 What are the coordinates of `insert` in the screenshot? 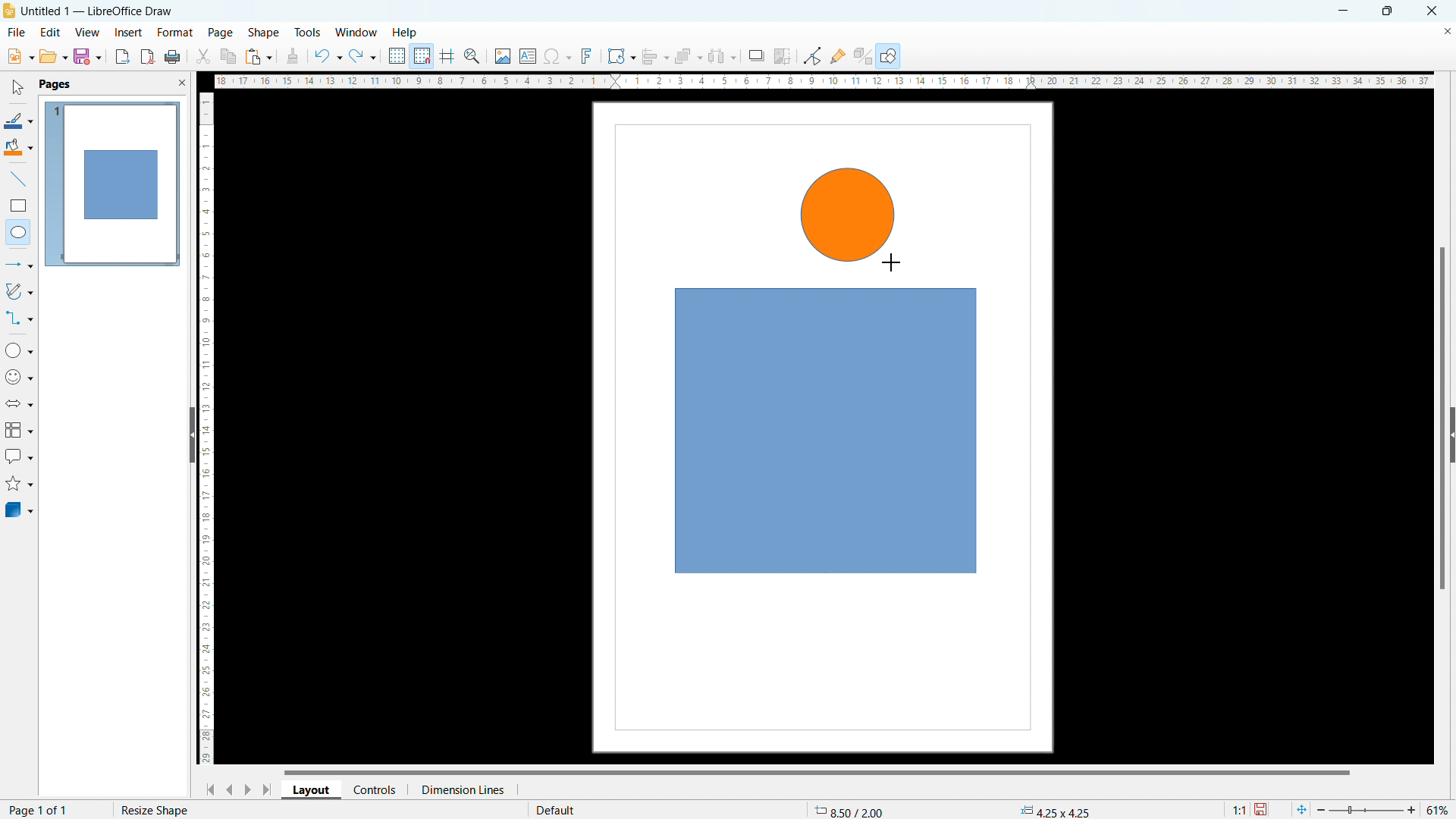 It's located at (129, 33).